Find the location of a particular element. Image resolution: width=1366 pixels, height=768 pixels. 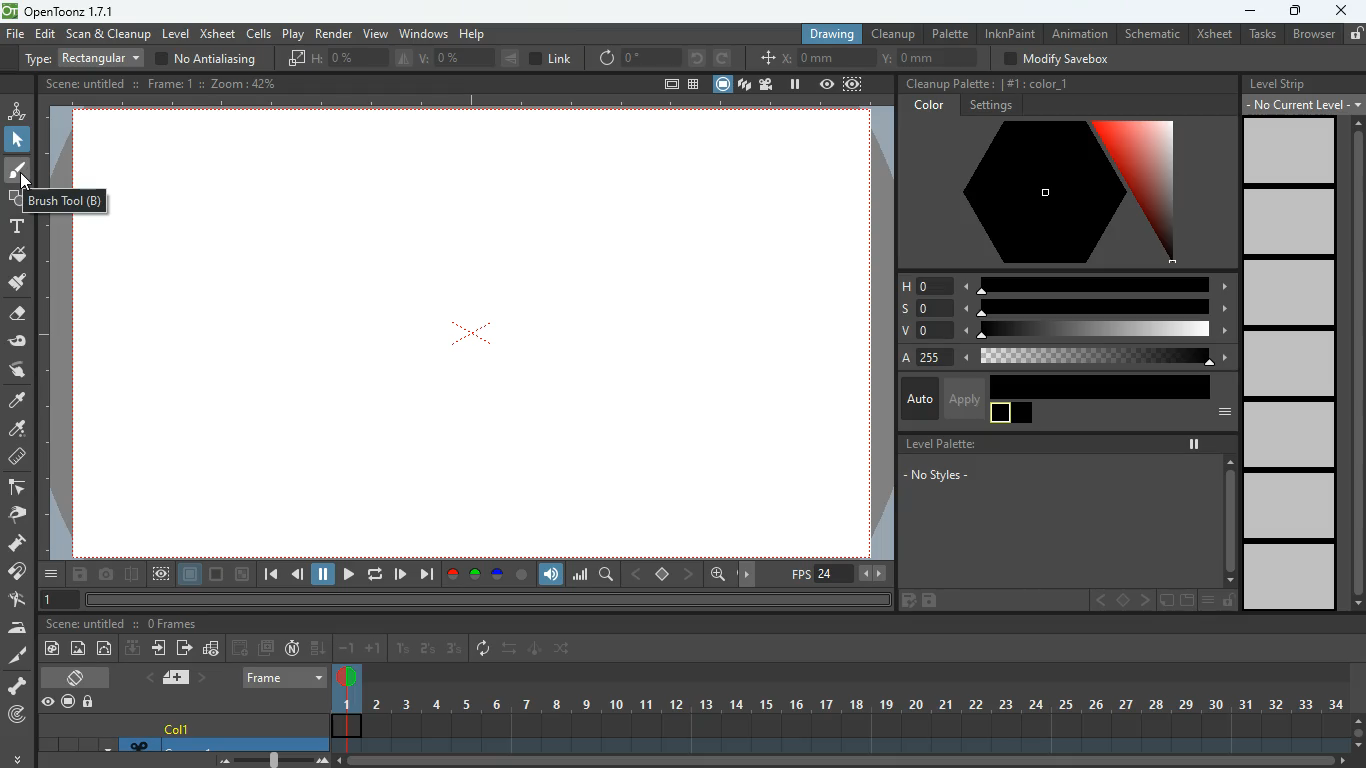

document is located at coordinates (1185, 601).